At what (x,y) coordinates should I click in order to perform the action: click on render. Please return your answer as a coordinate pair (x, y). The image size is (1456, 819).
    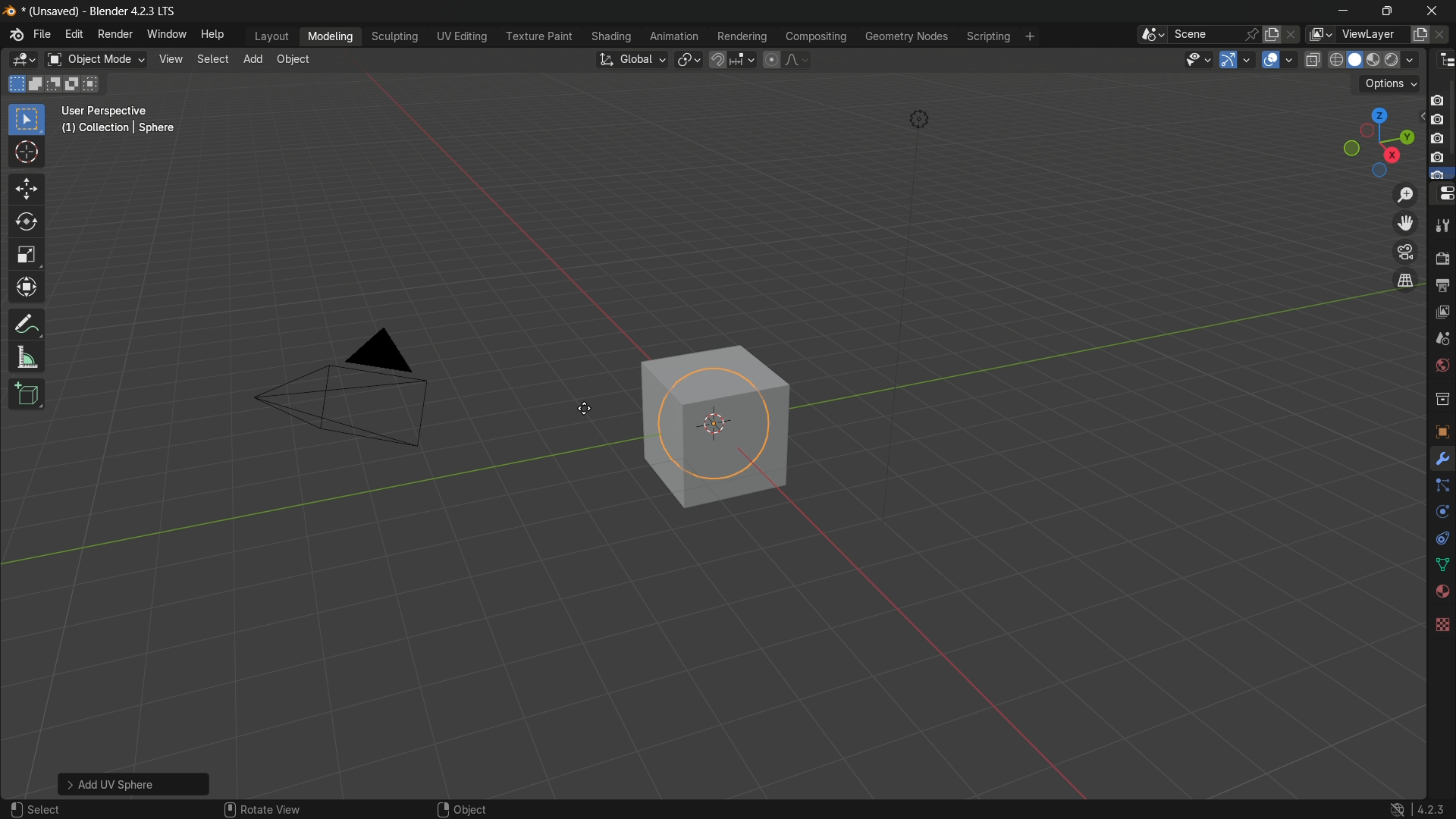
    Looking at the image, I should click on (1441, 256).